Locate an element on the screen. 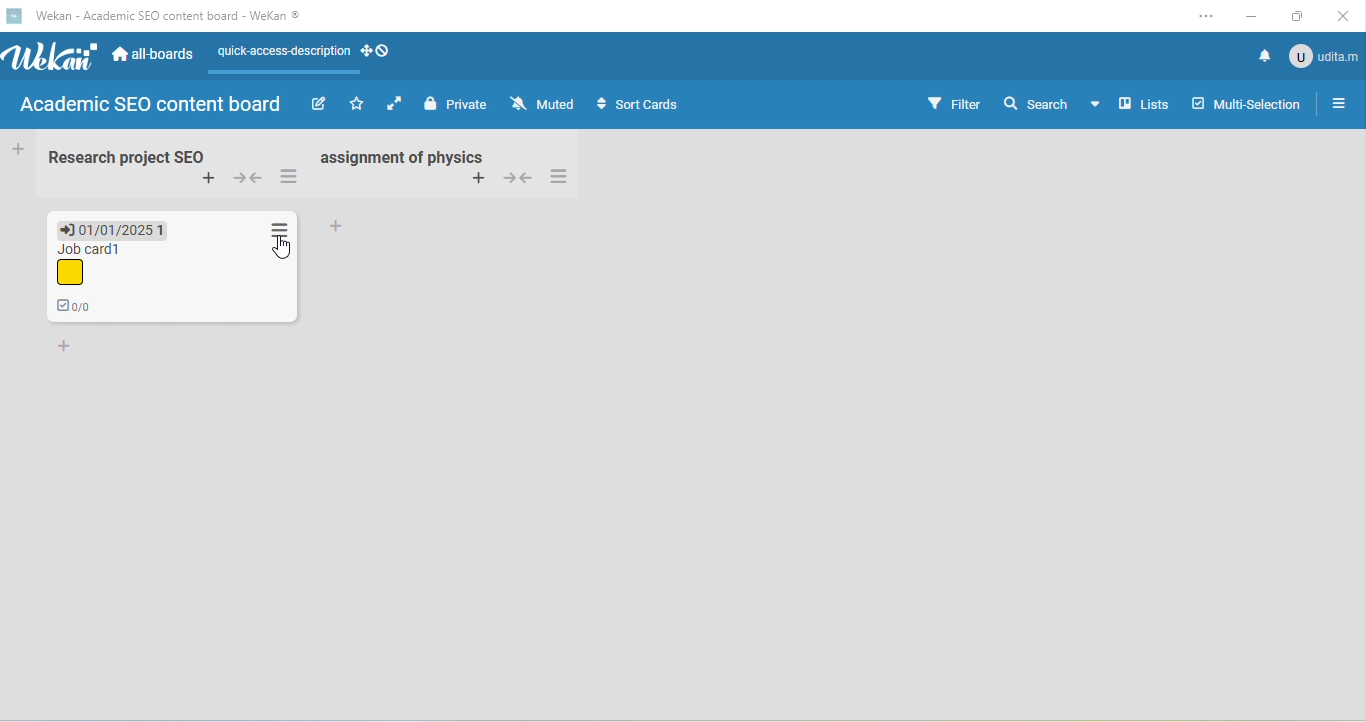 This screenshot has height=722, width=1366. job card 1 is located at coordinates (88, 265).